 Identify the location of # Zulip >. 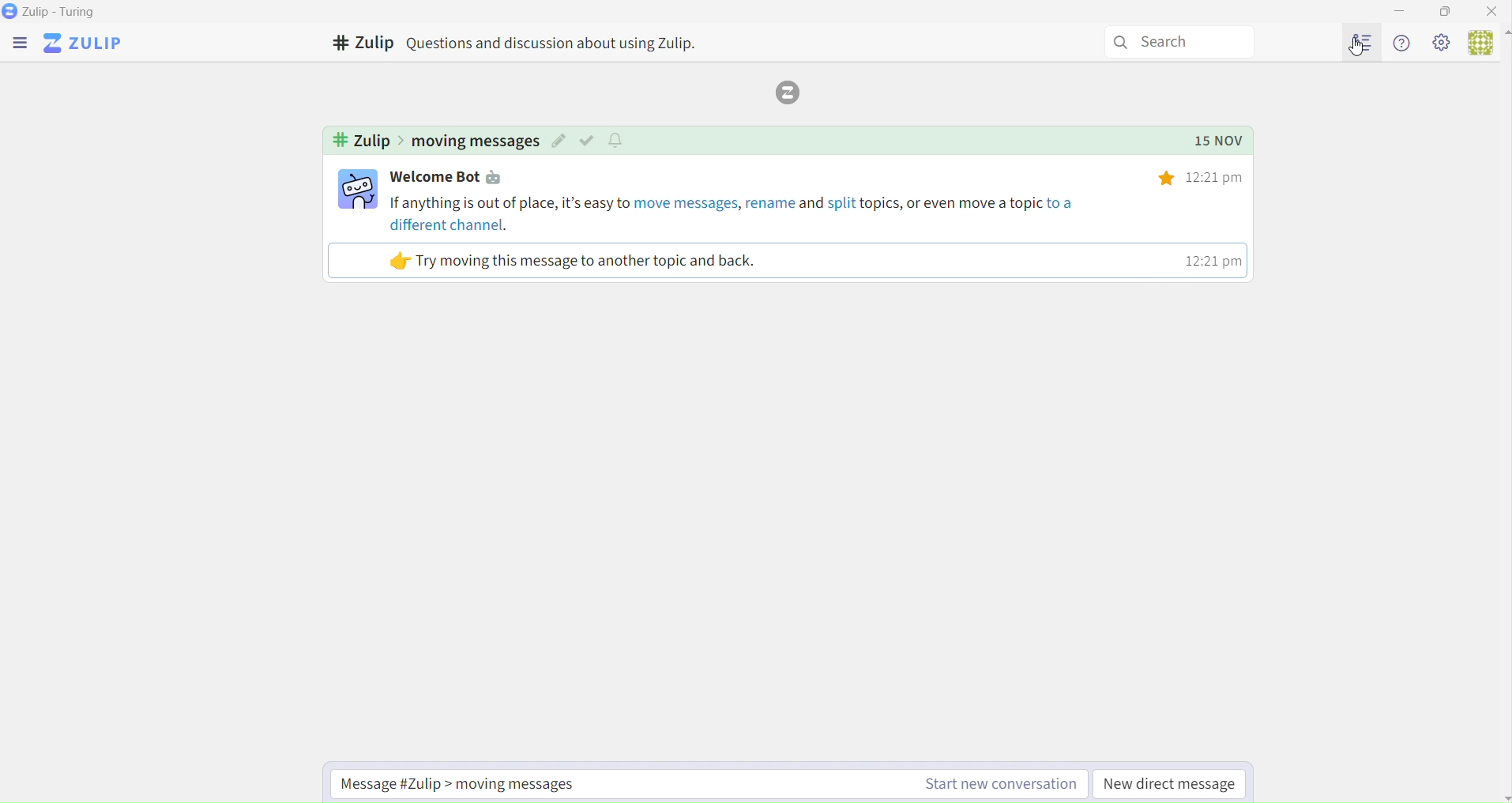
(366, 141).